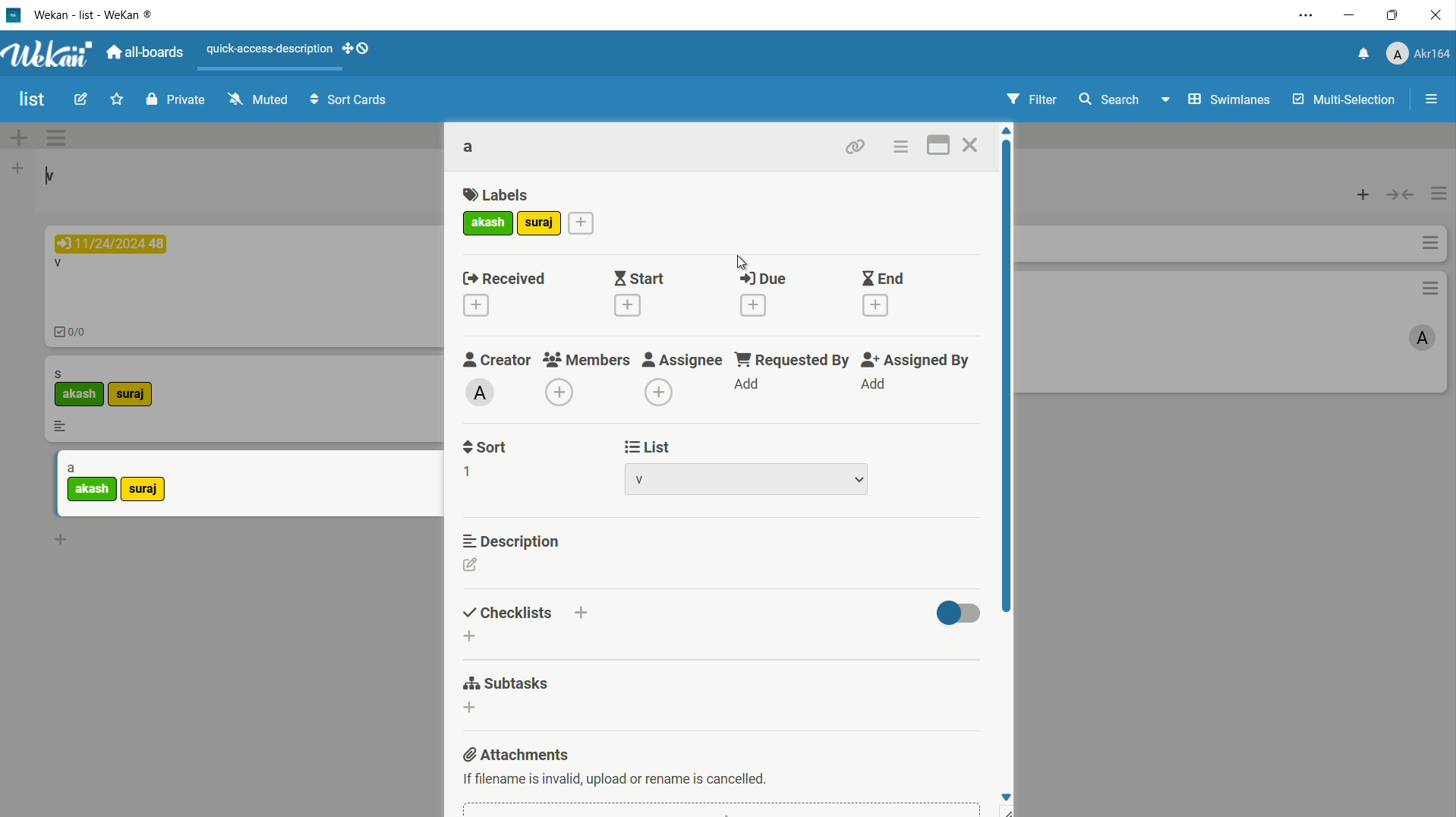 The height and width of the screenshot is (817, 1456). I want to click on assigned by, so click(919, 359).